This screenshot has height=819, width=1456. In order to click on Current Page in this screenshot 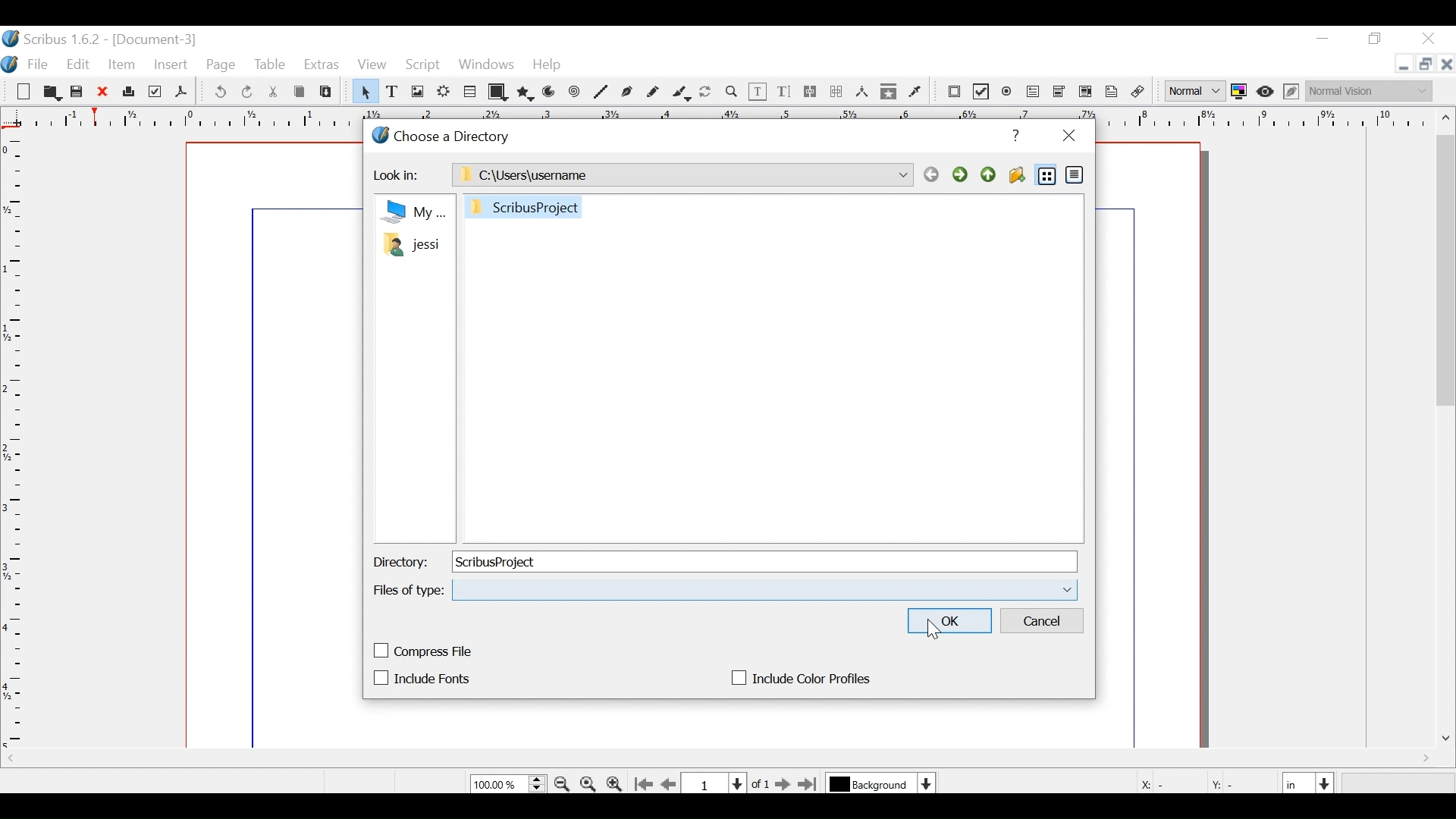, I will do `click(716, 782)`.